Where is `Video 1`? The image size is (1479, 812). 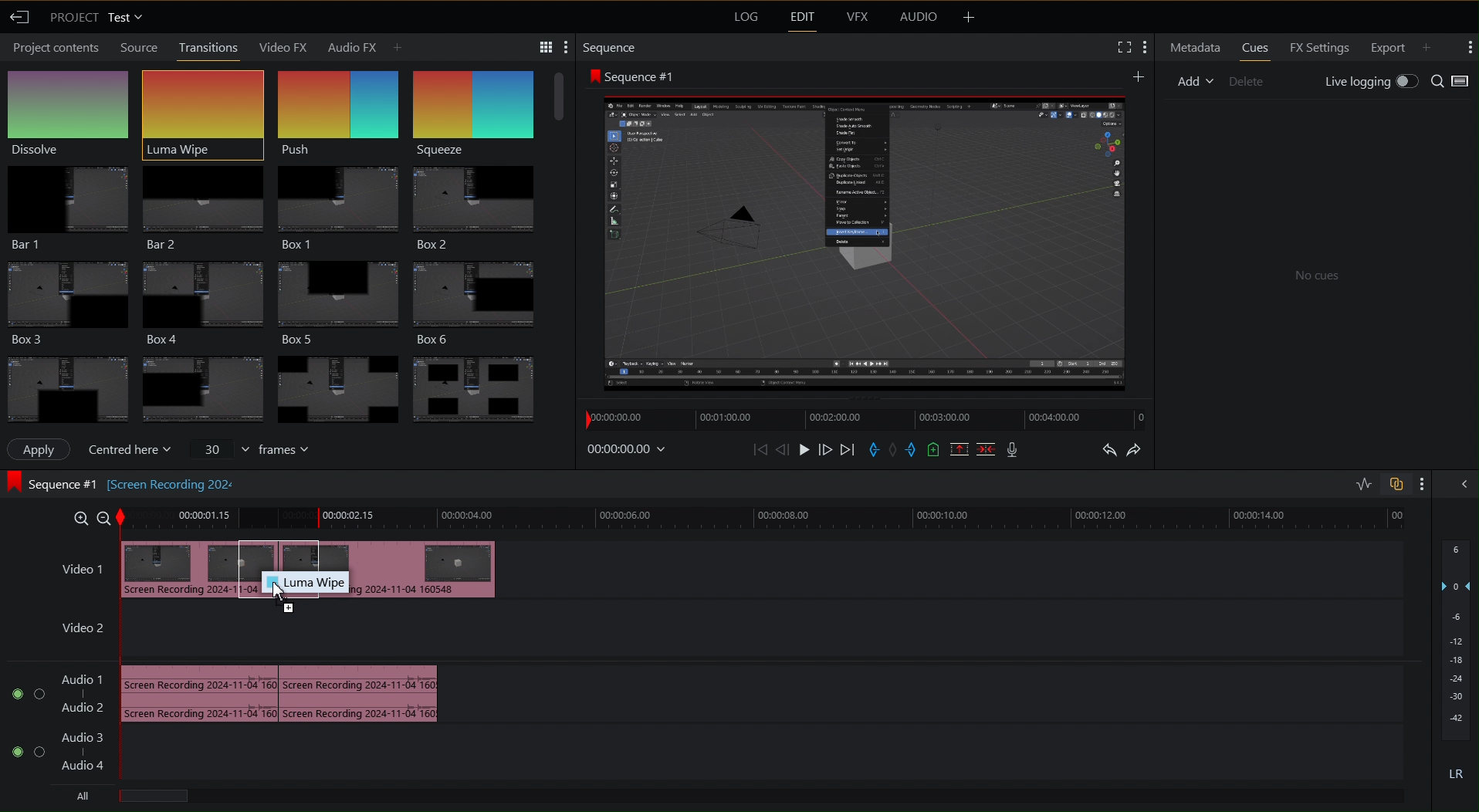 Video 1 is located at coordinates (73, 563).